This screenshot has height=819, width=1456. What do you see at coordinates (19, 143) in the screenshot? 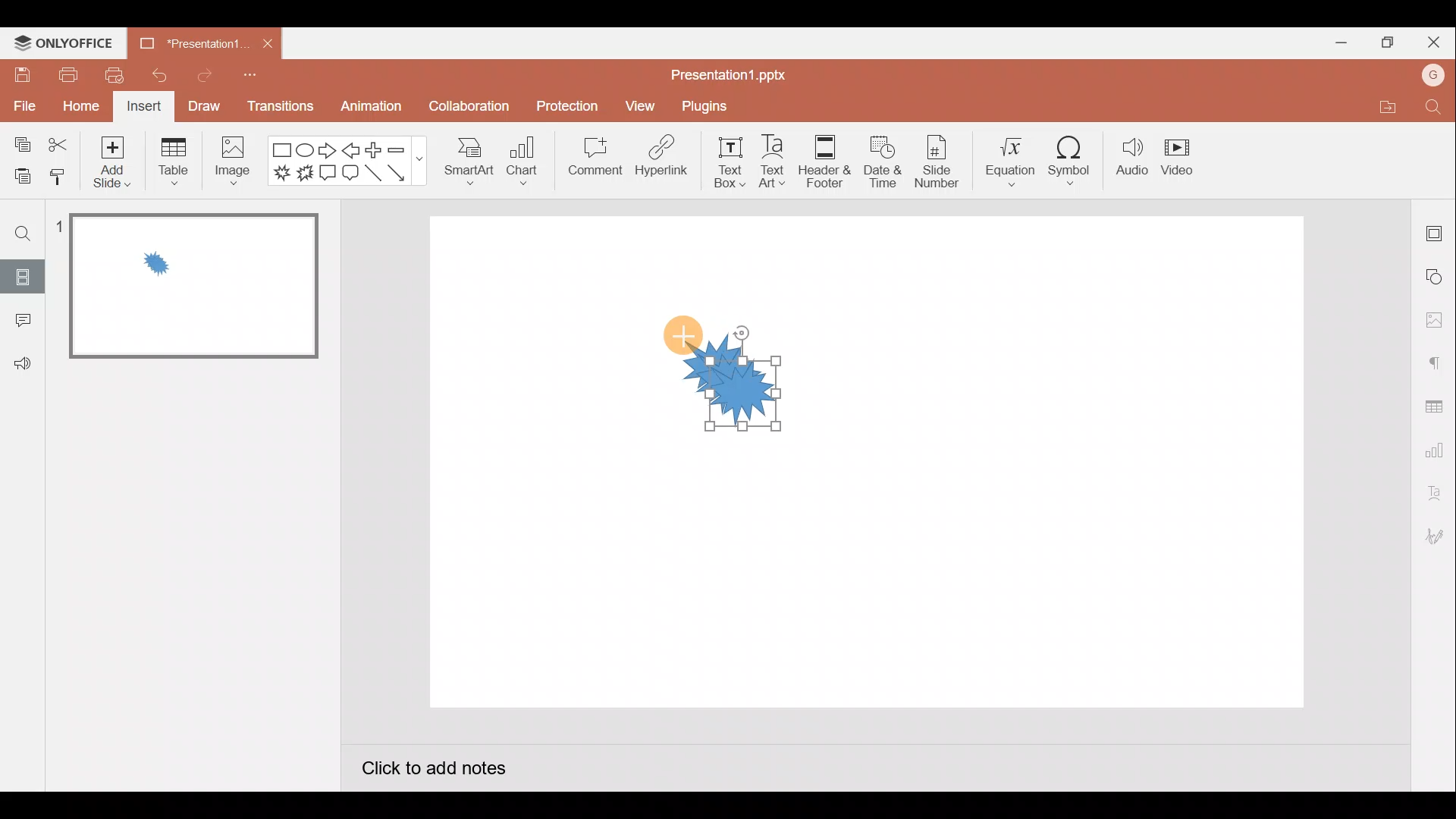
I see `Copy` at bounding box center [19, 143].